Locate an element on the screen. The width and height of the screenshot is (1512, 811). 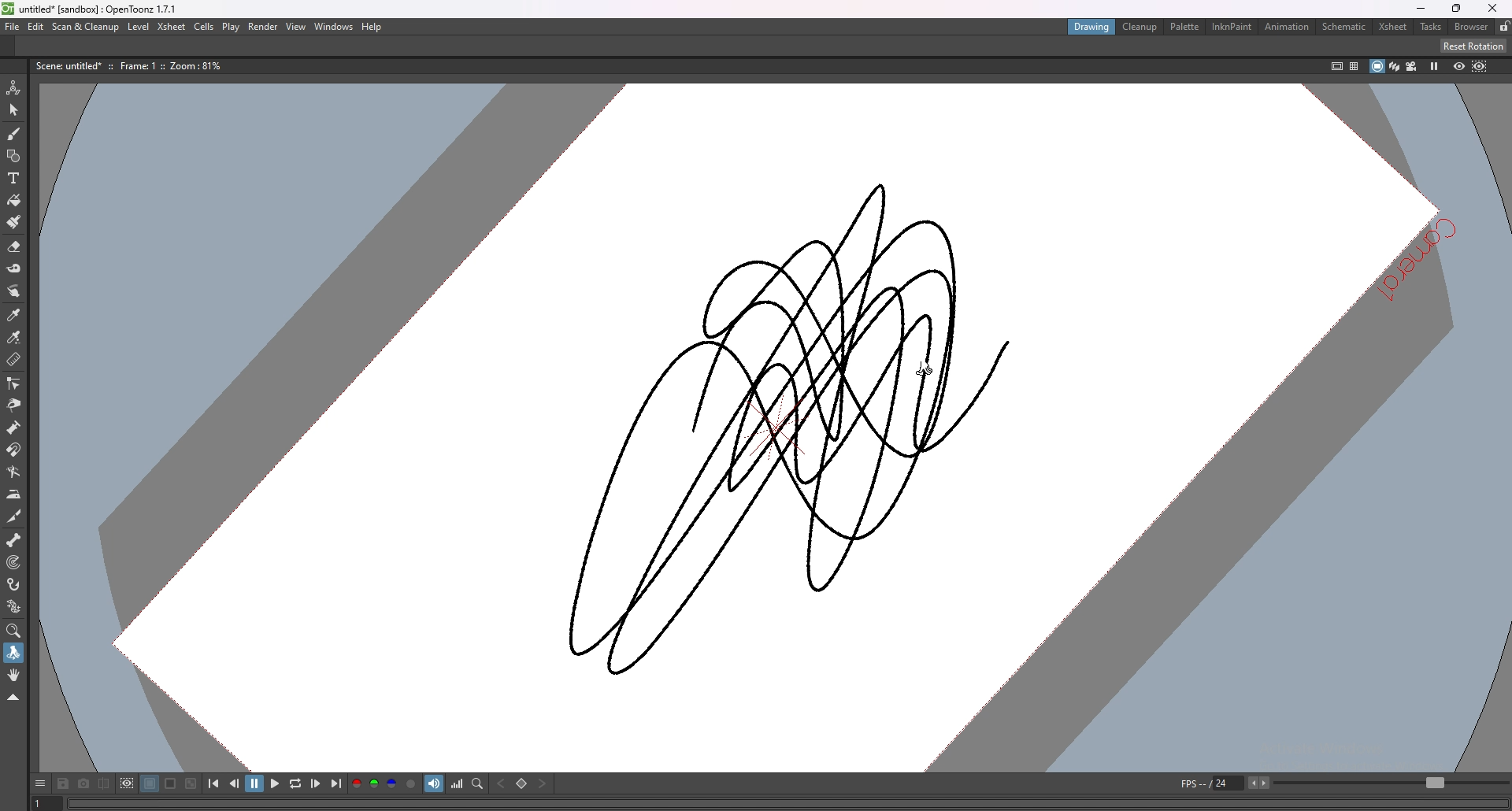
finger is located at coordinates (13, 291).